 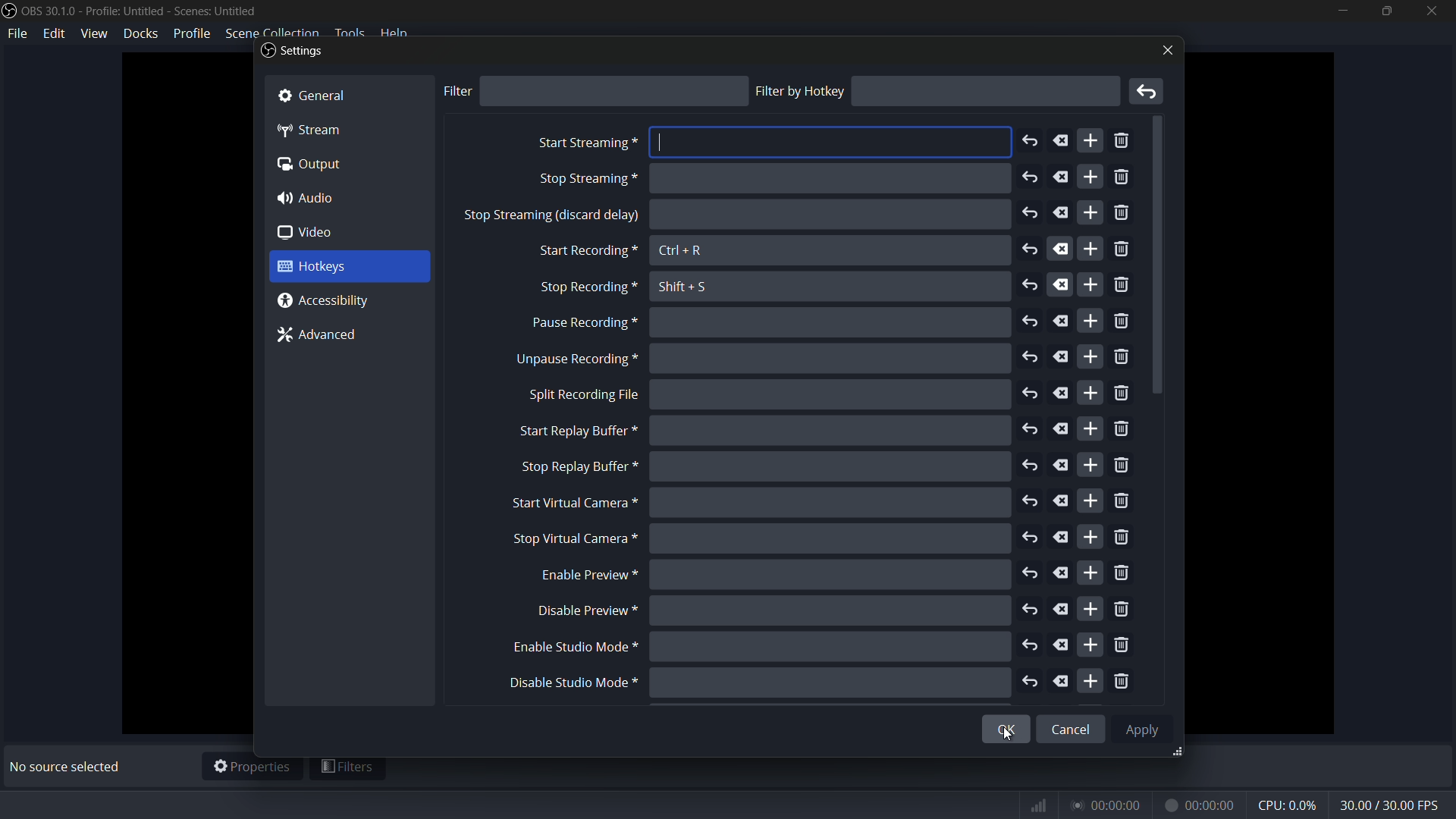 I want to click on add more, so click(x=1089, y=428).